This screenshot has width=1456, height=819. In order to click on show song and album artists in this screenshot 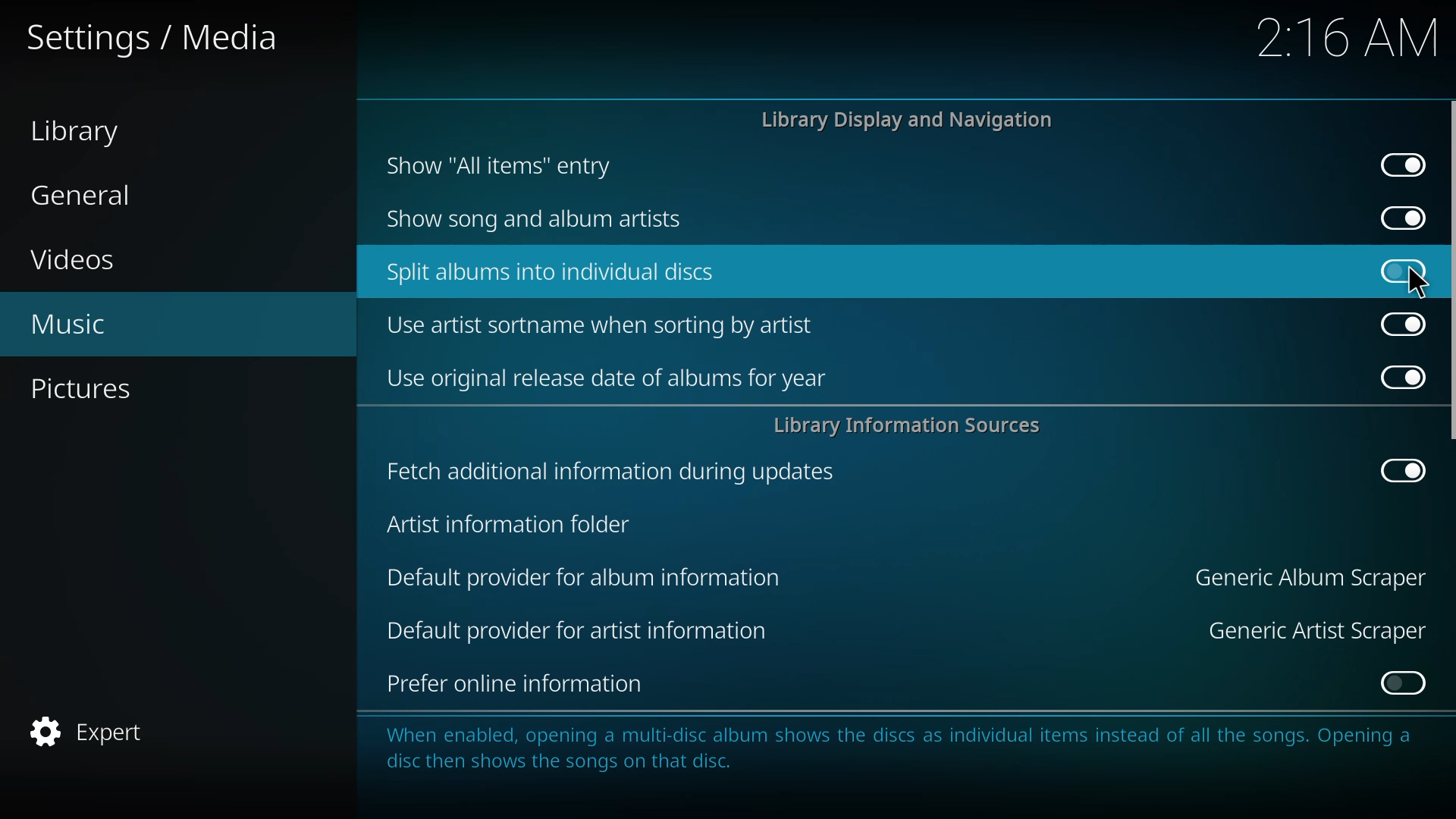, I will do `click(548, 219)`.